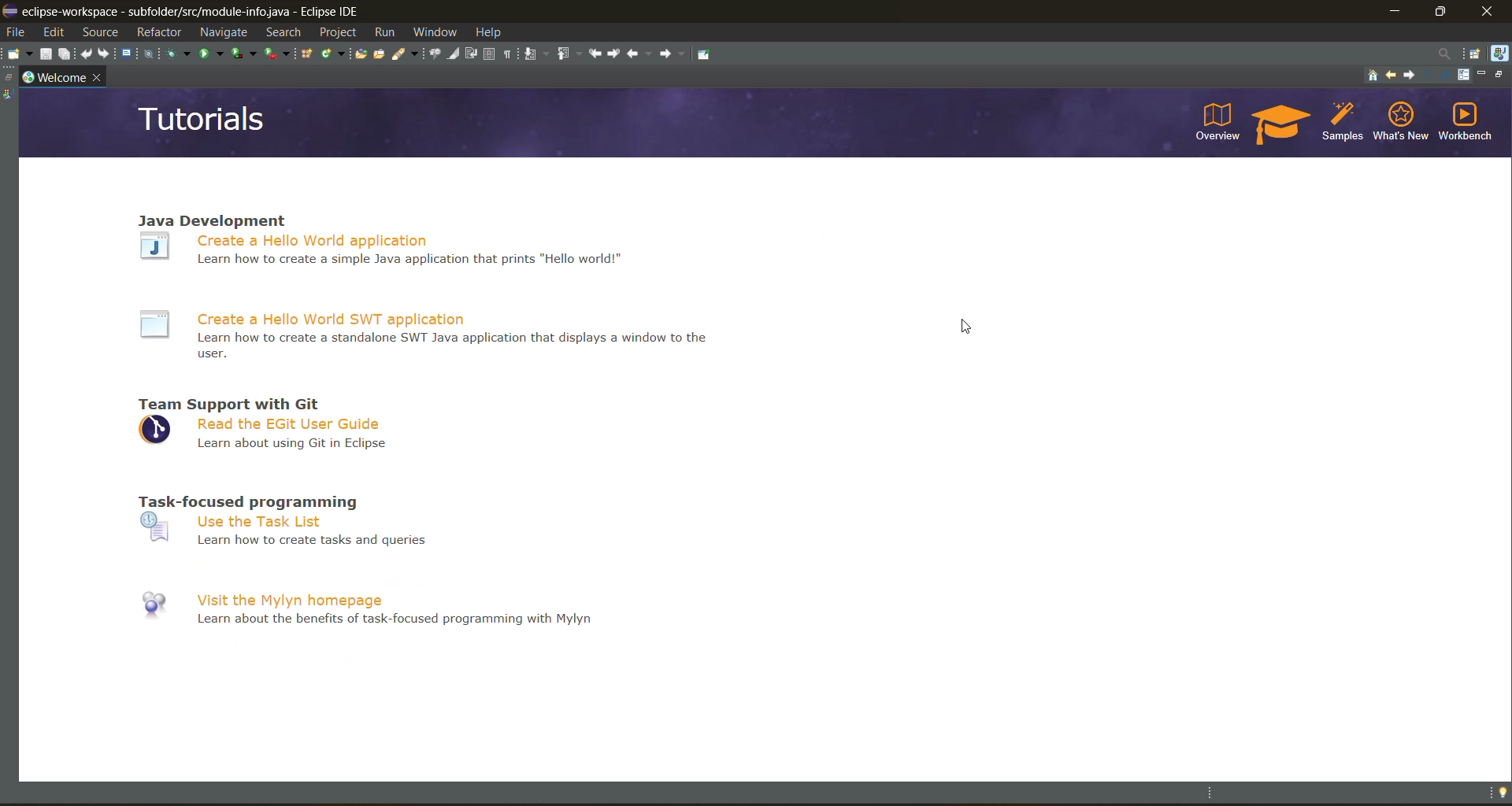 The width and height of the screenshot is (1512, 806). Describe the element at coordinates (283, 32) in the screenshot. I see `search` at that location.